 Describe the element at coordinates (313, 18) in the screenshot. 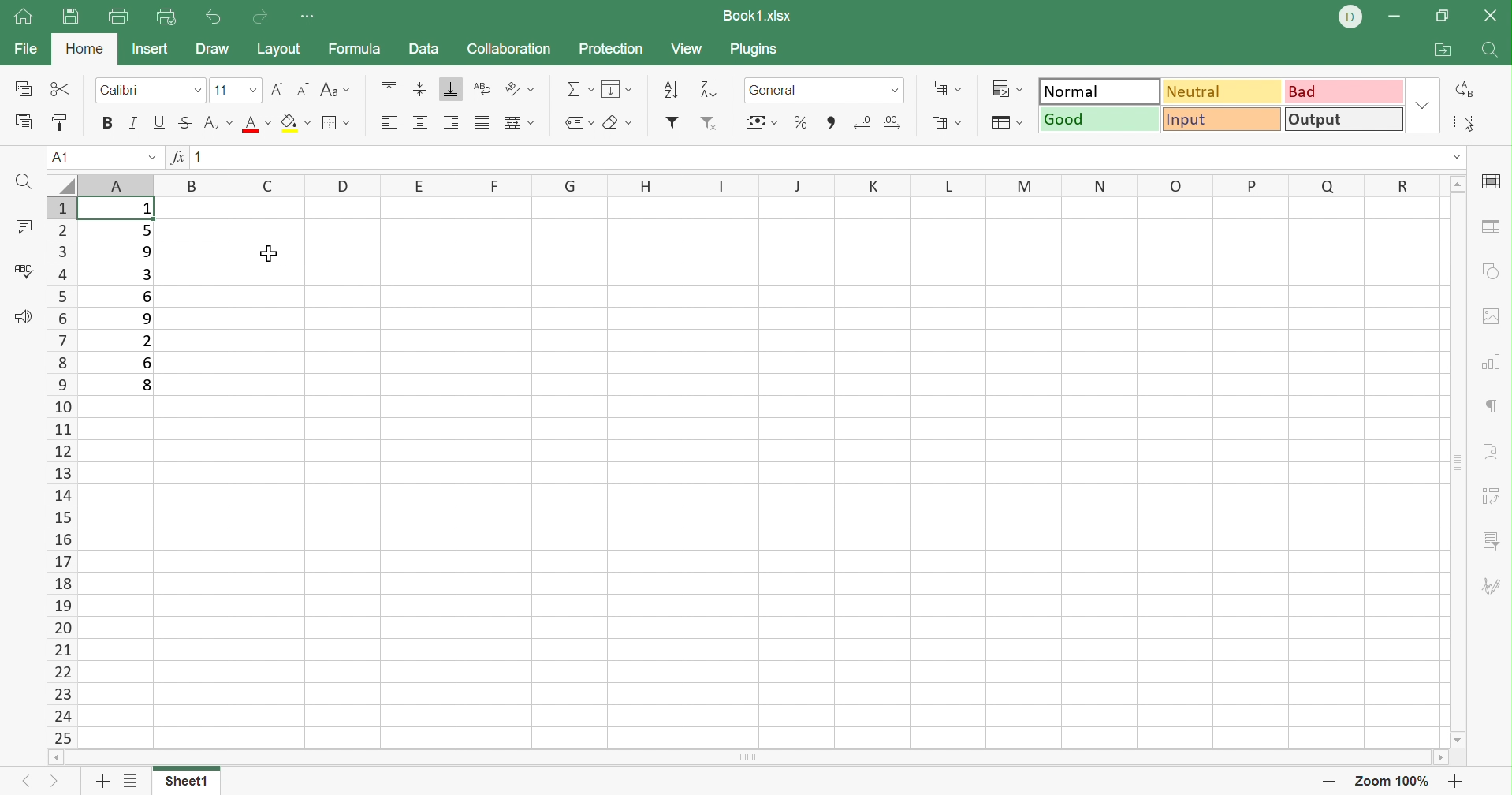

I see `Customize quick access toolbar` at that location.